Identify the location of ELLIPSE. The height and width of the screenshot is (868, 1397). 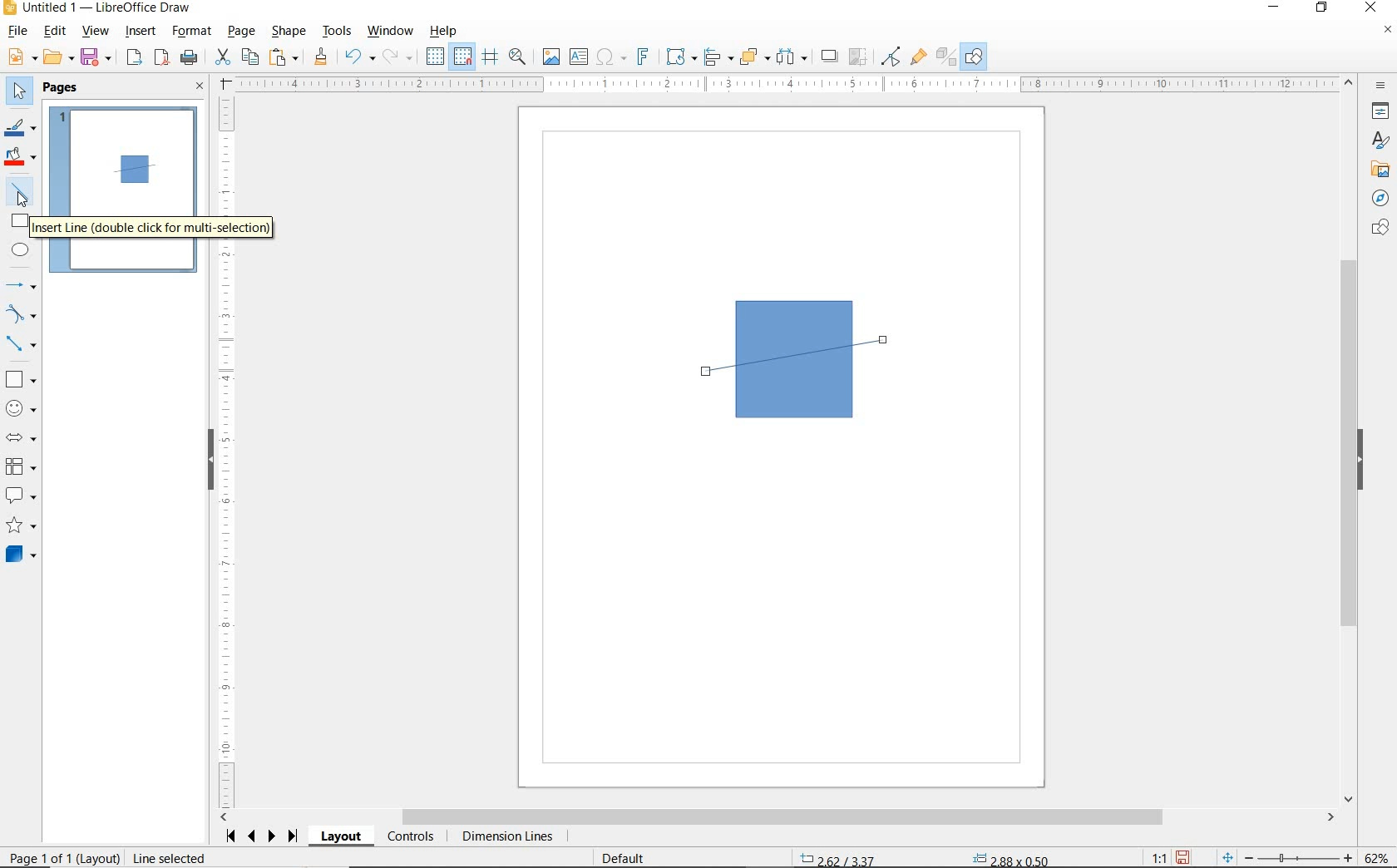
(22, 249).